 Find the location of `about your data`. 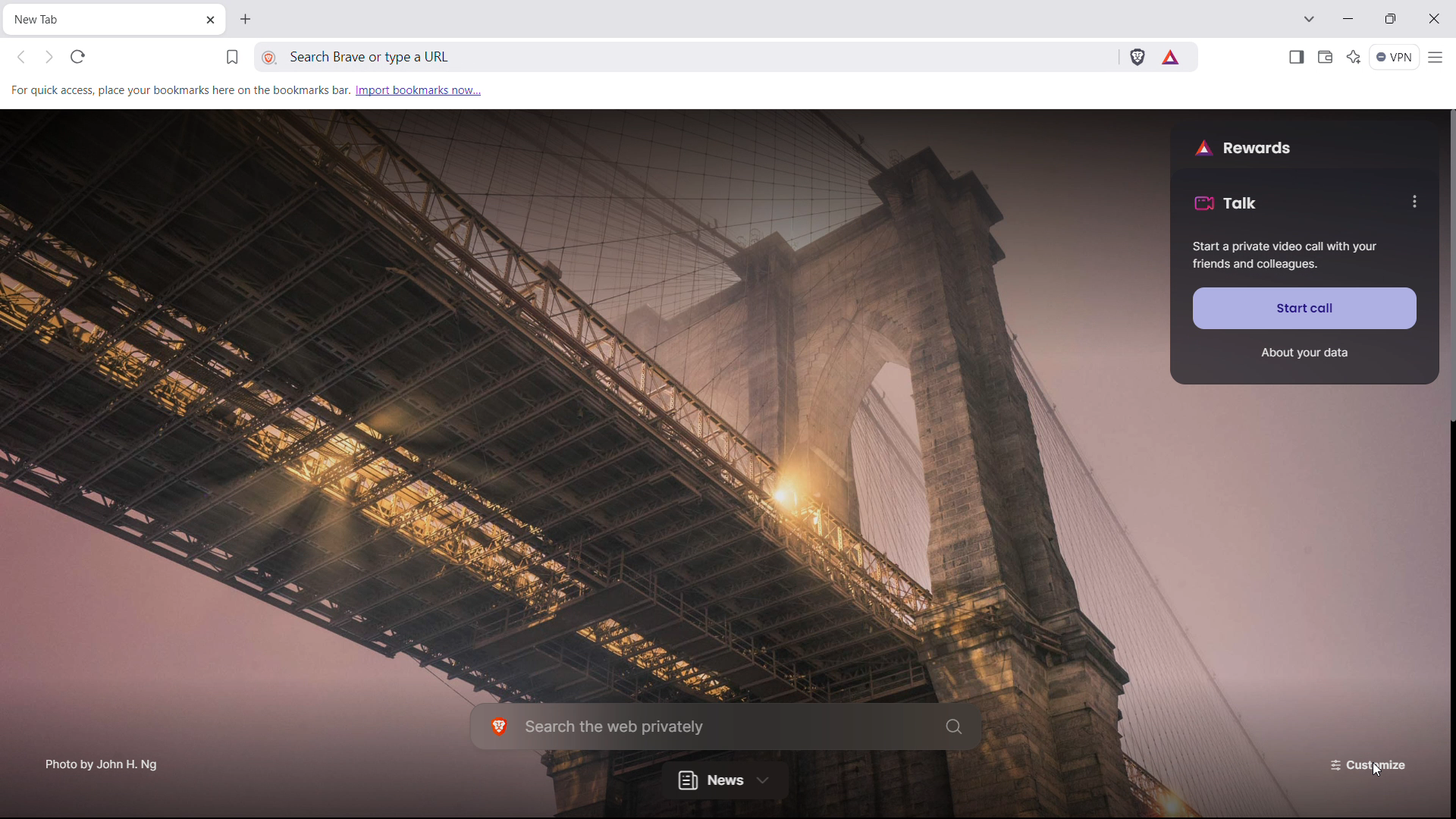

about your data is located at coordinates (1304, 353).